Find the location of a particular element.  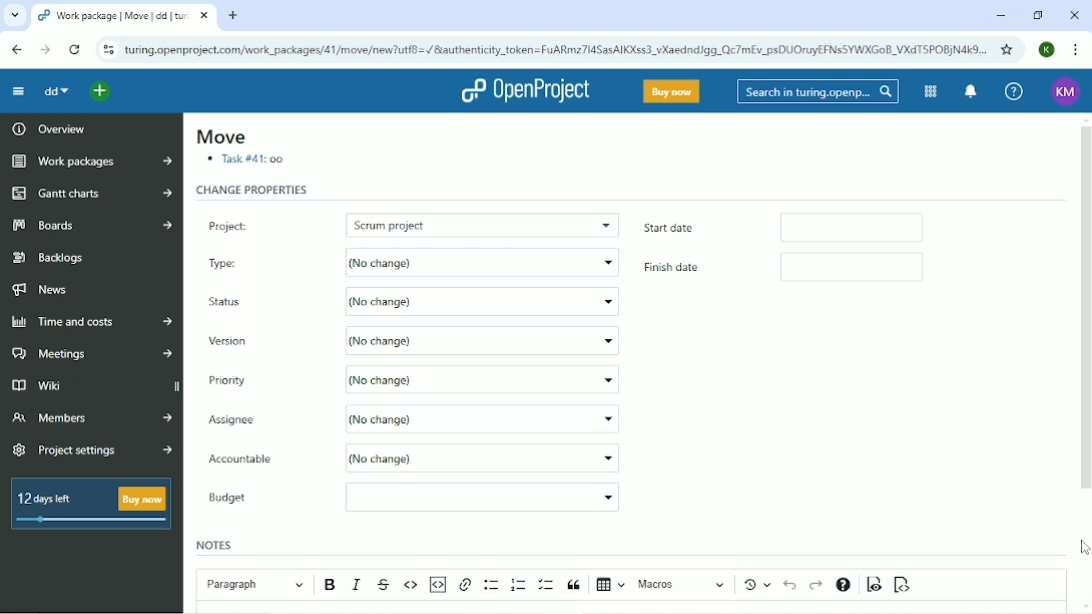

Minimize is located at coordinates (999, 16).